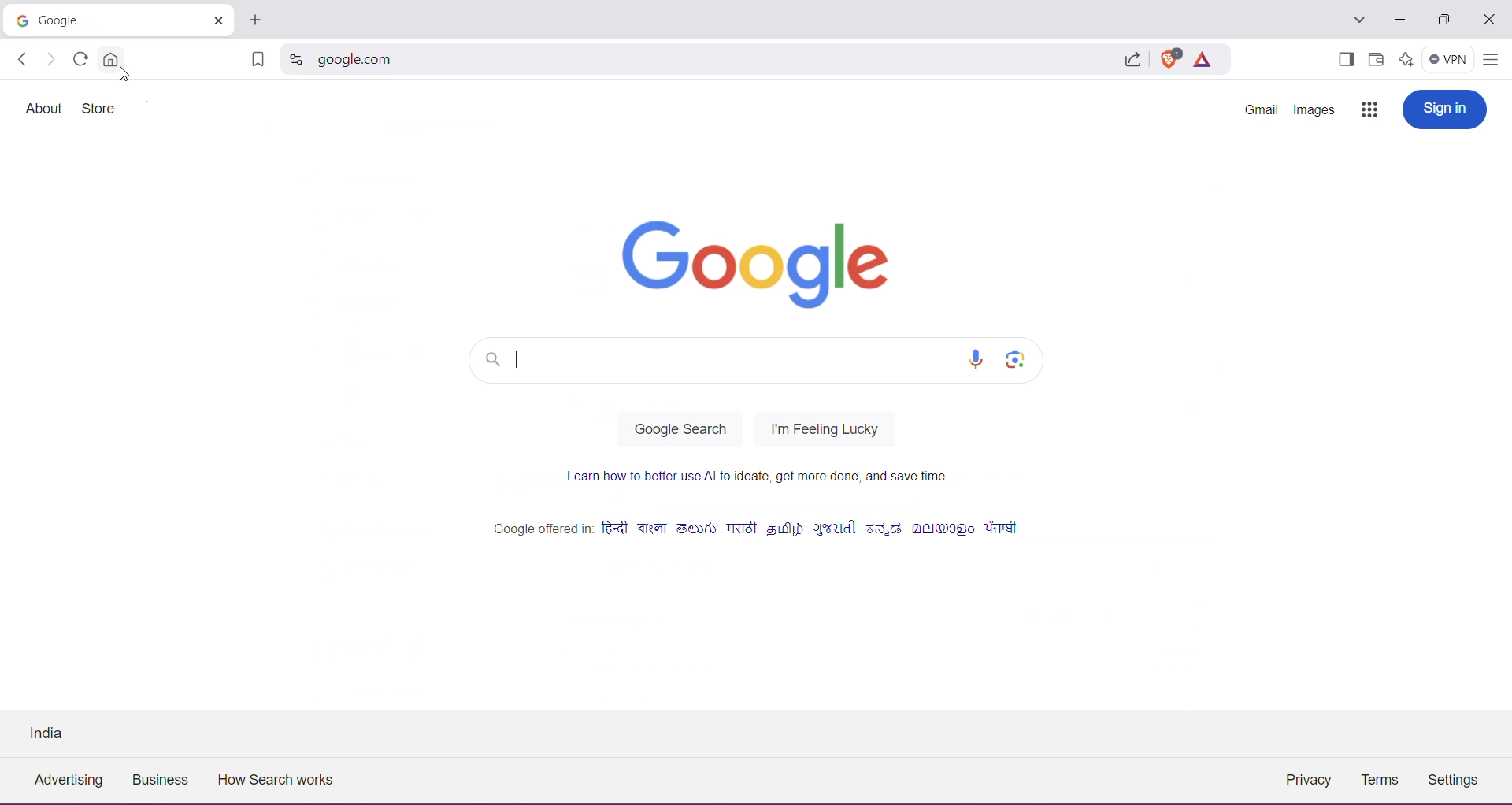 Image resolution: width=1512 pixels, height=805 pixels. What do you see at coordinates (1375, 60) in the screenshot?
I see `Wallet` at bounding box center [1375, 60].